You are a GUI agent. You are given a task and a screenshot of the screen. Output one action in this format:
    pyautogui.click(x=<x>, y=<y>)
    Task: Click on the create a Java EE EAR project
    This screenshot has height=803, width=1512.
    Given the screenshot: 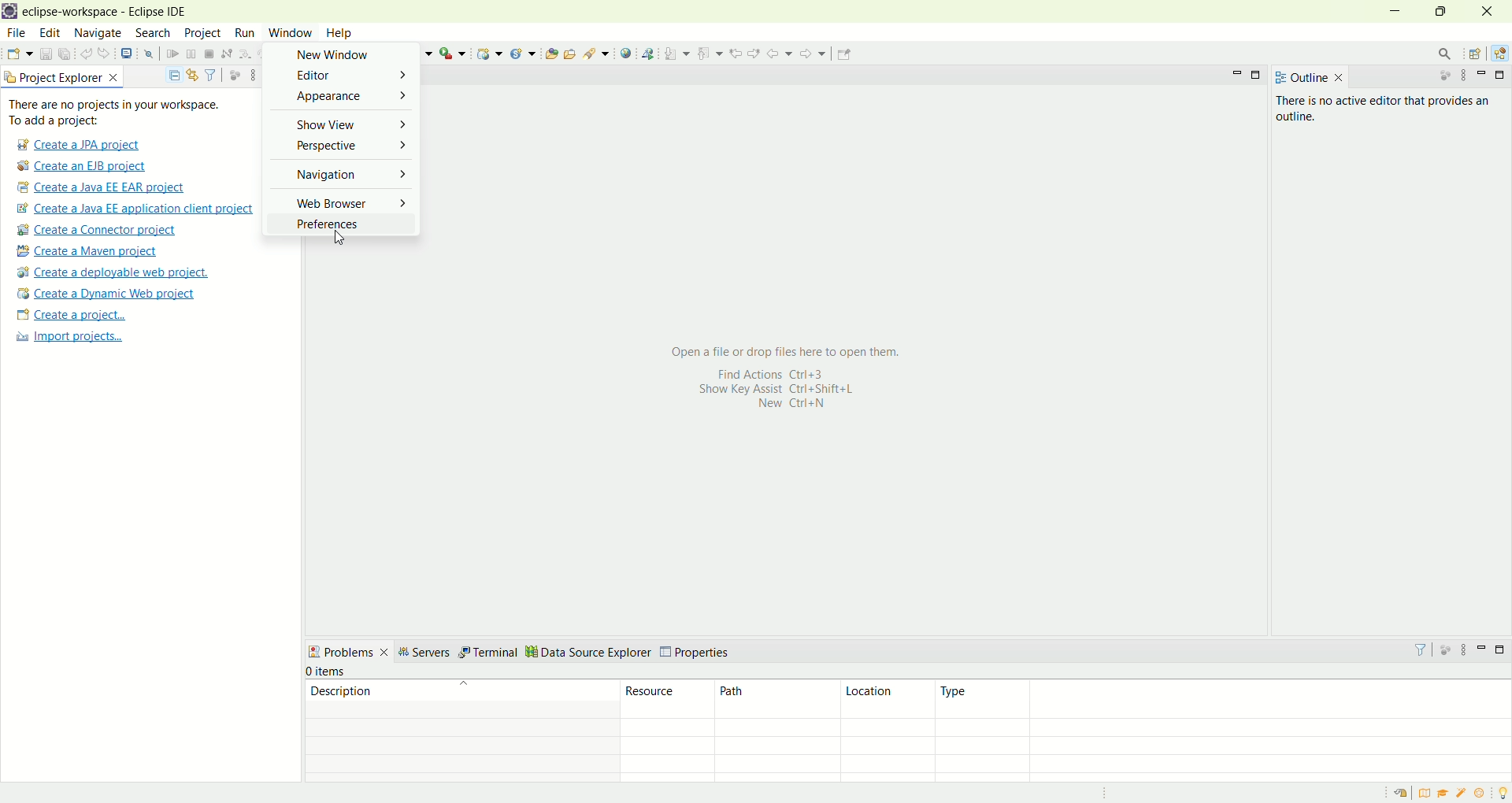 What is the action you would take?
    pyautogui.click(x=102, y=187)
    